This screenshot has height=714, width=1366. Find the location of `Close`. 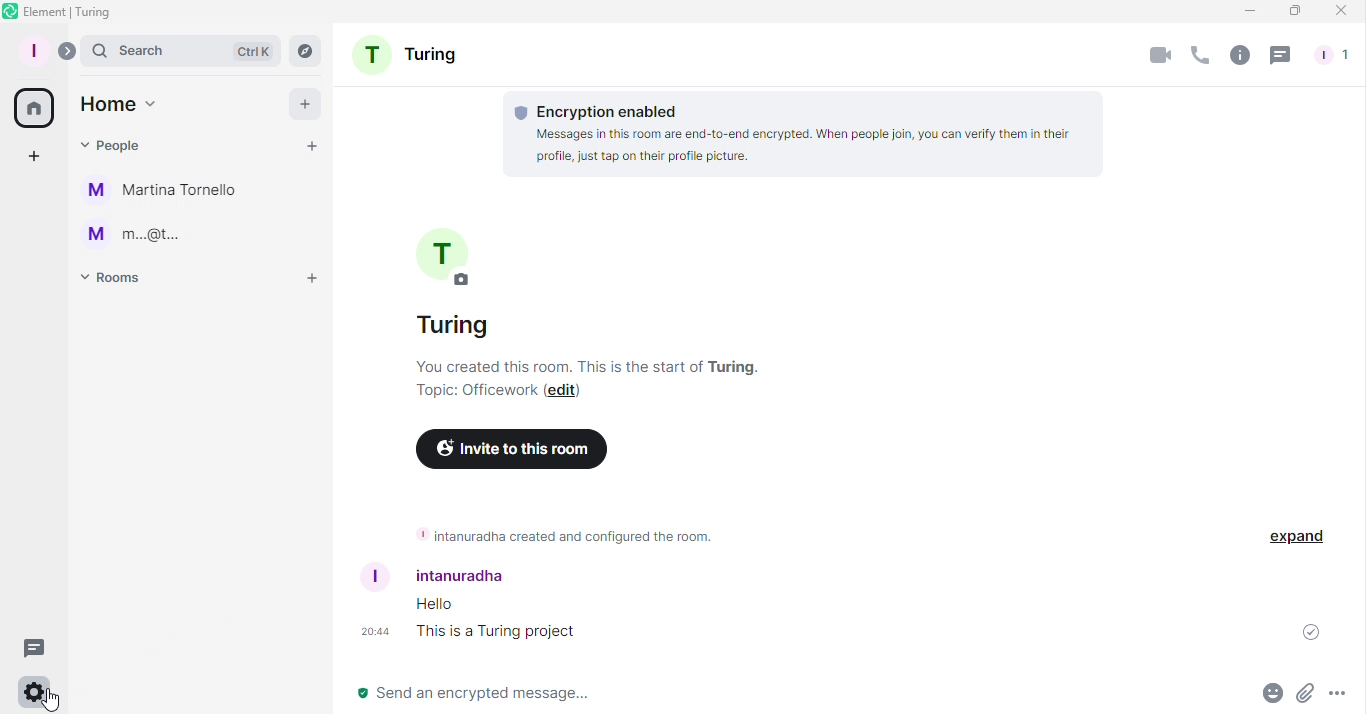

Close is located at coordinates (1344, 12).